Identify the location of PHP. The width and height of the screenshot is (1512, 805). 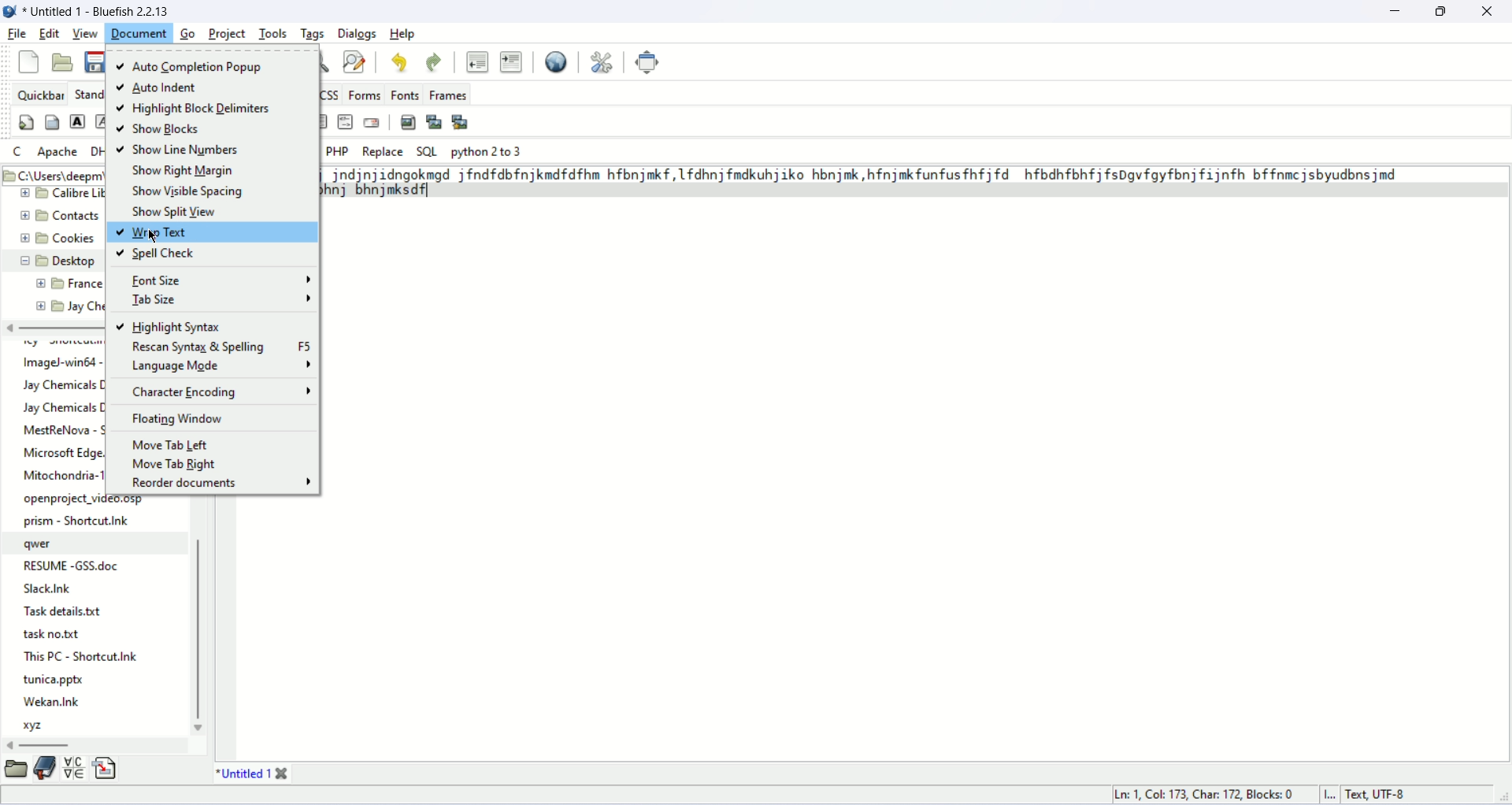
(336, 150).